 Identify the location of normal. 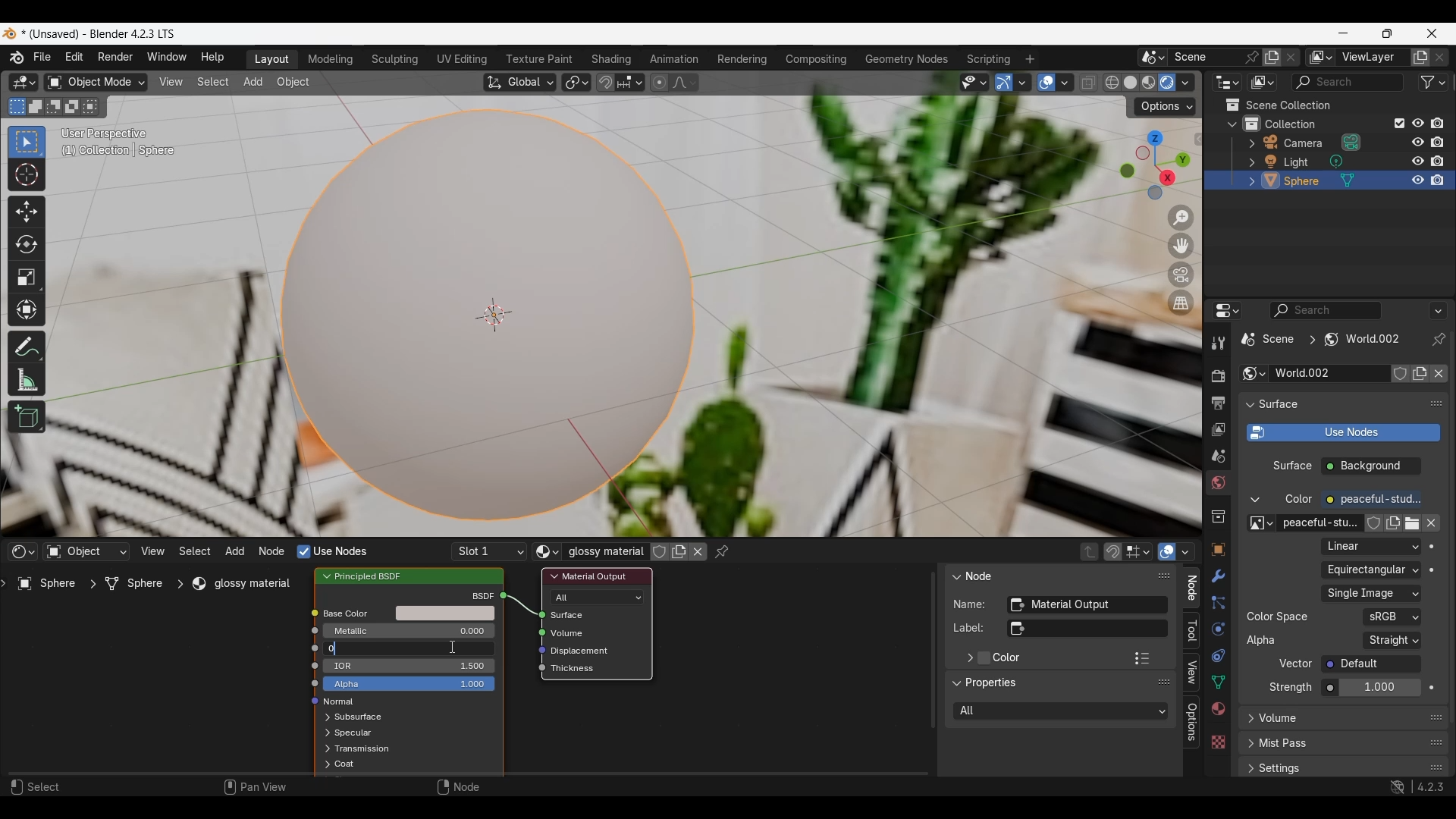
(339, 702).